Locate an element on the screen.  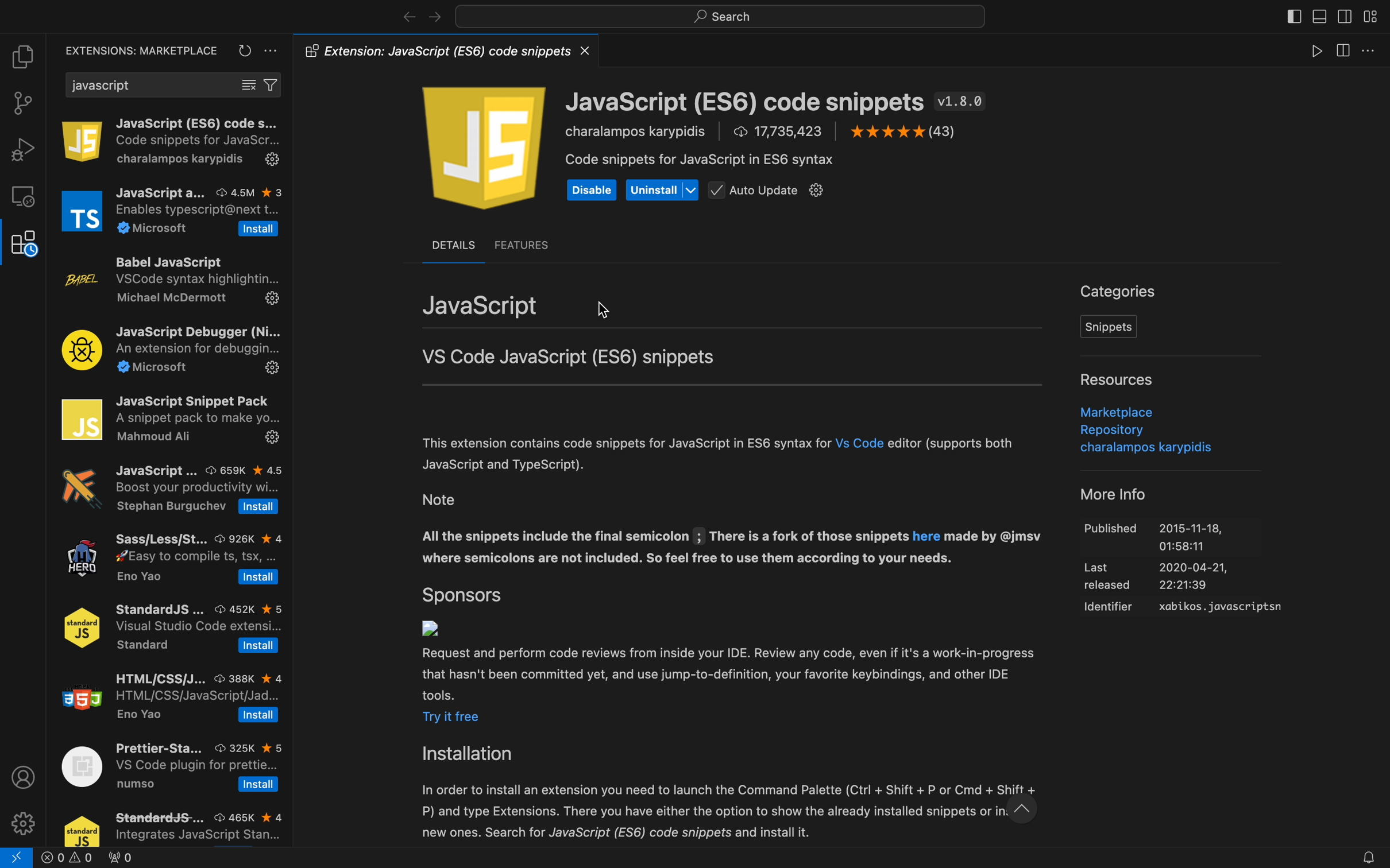
mouse pointer is located at coordinates (606, 311).